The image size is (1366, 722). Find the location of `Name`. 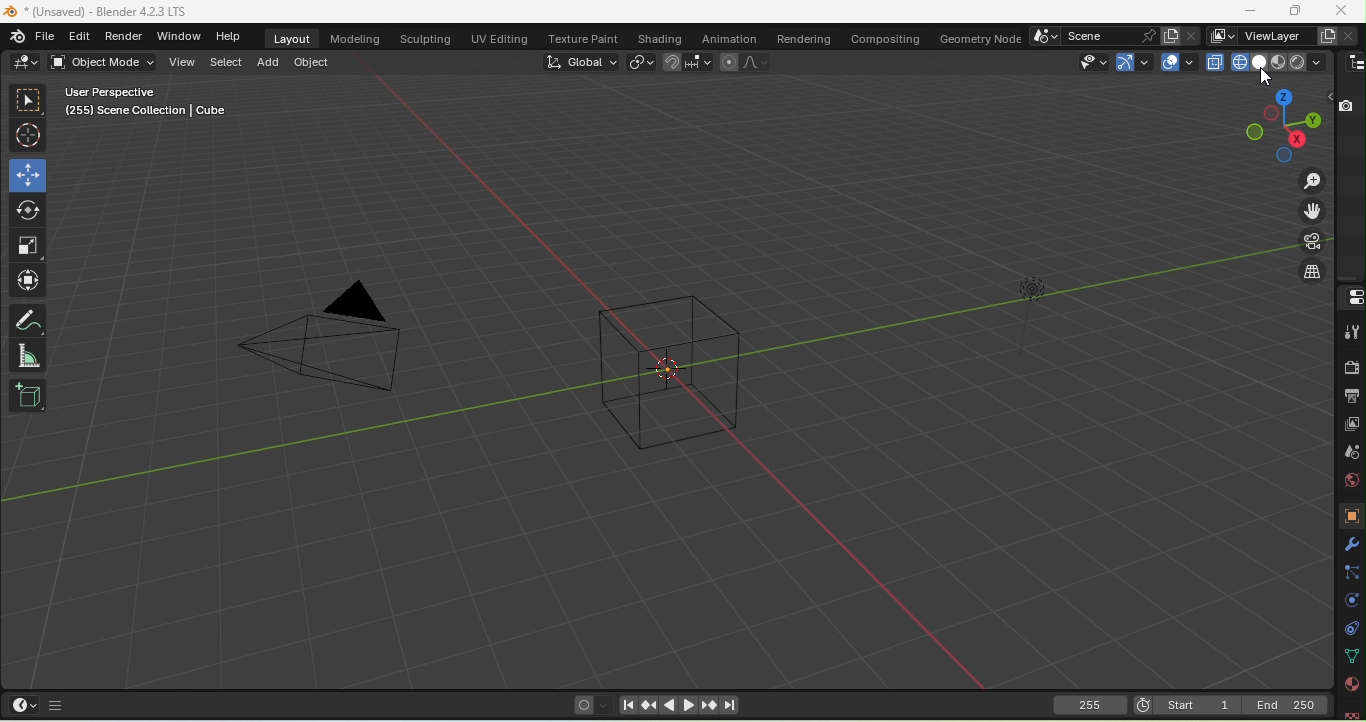

Name is located at coordinates (1274, 35).